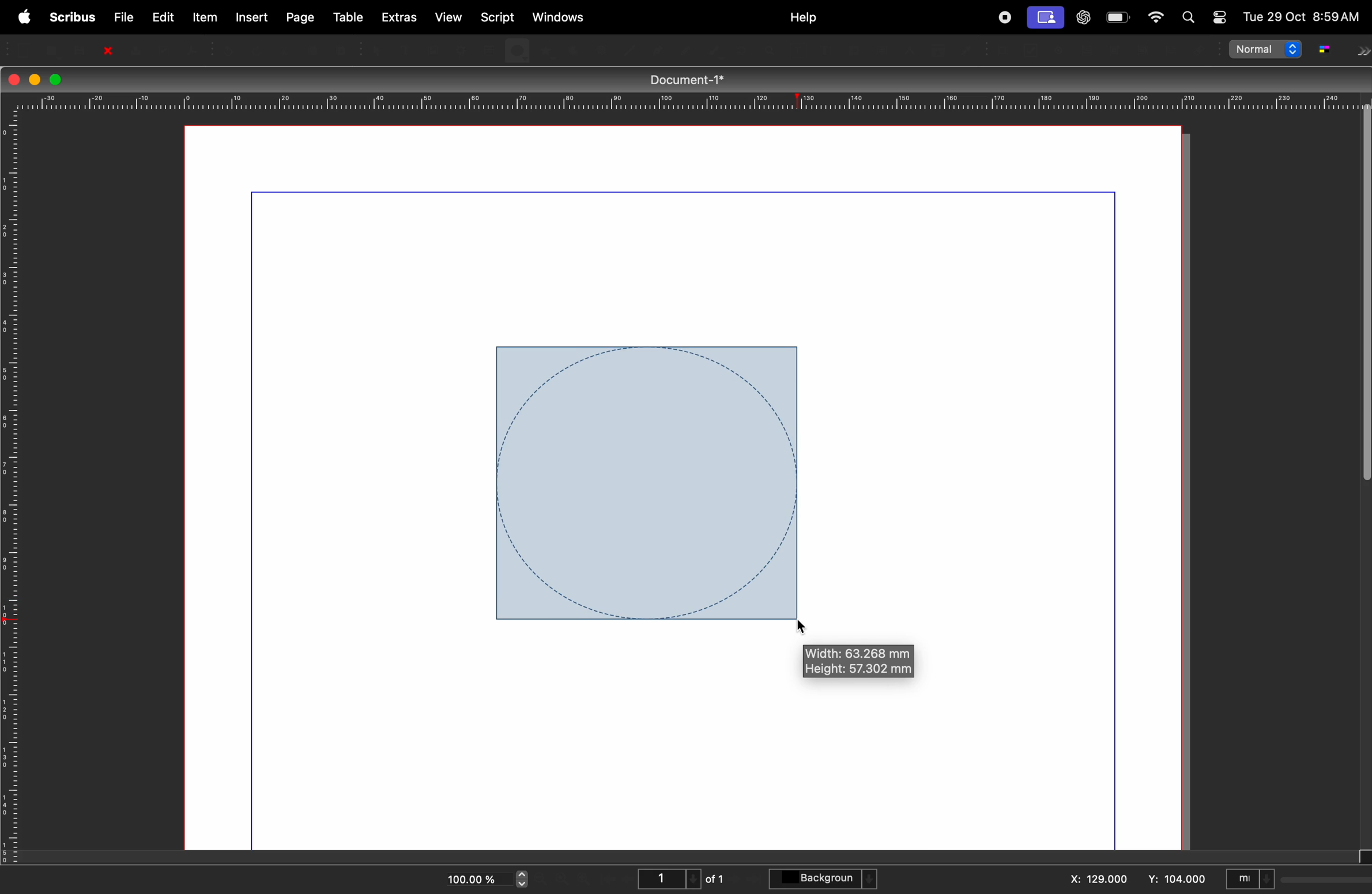  Describe the element at coordinates (22, 16) in the screenshot. I see `apple menu` at that location.